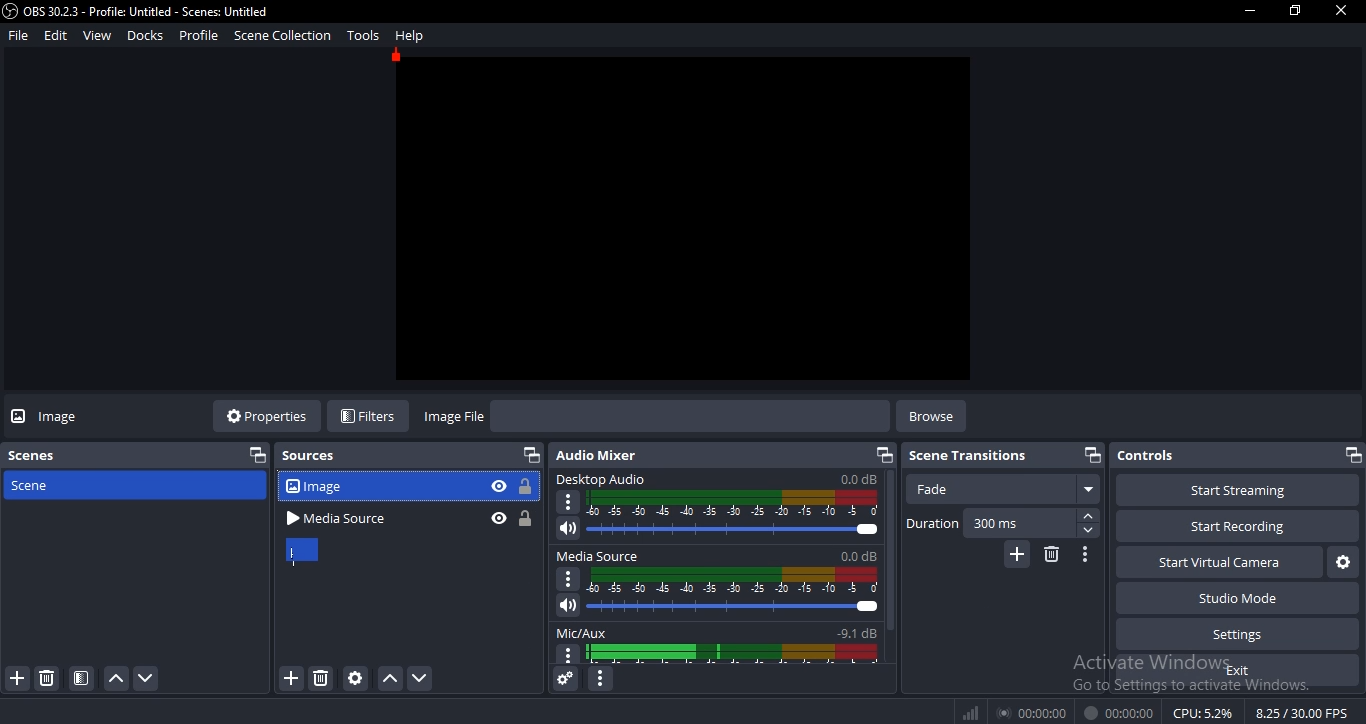 This screenshot has height=724, width=1366. I want to click on option, so click(569, 503).